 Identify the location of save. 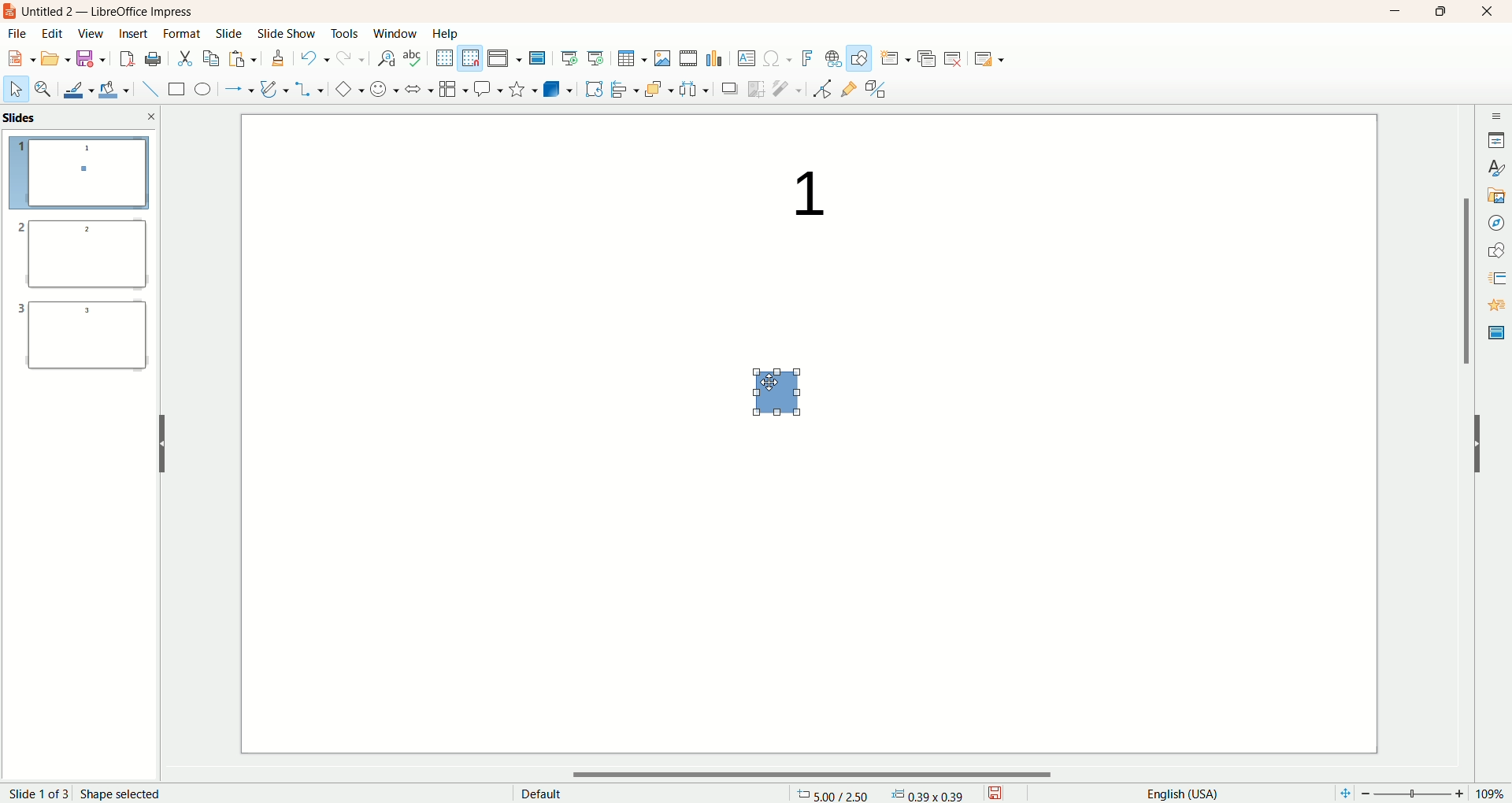
(91, 60).